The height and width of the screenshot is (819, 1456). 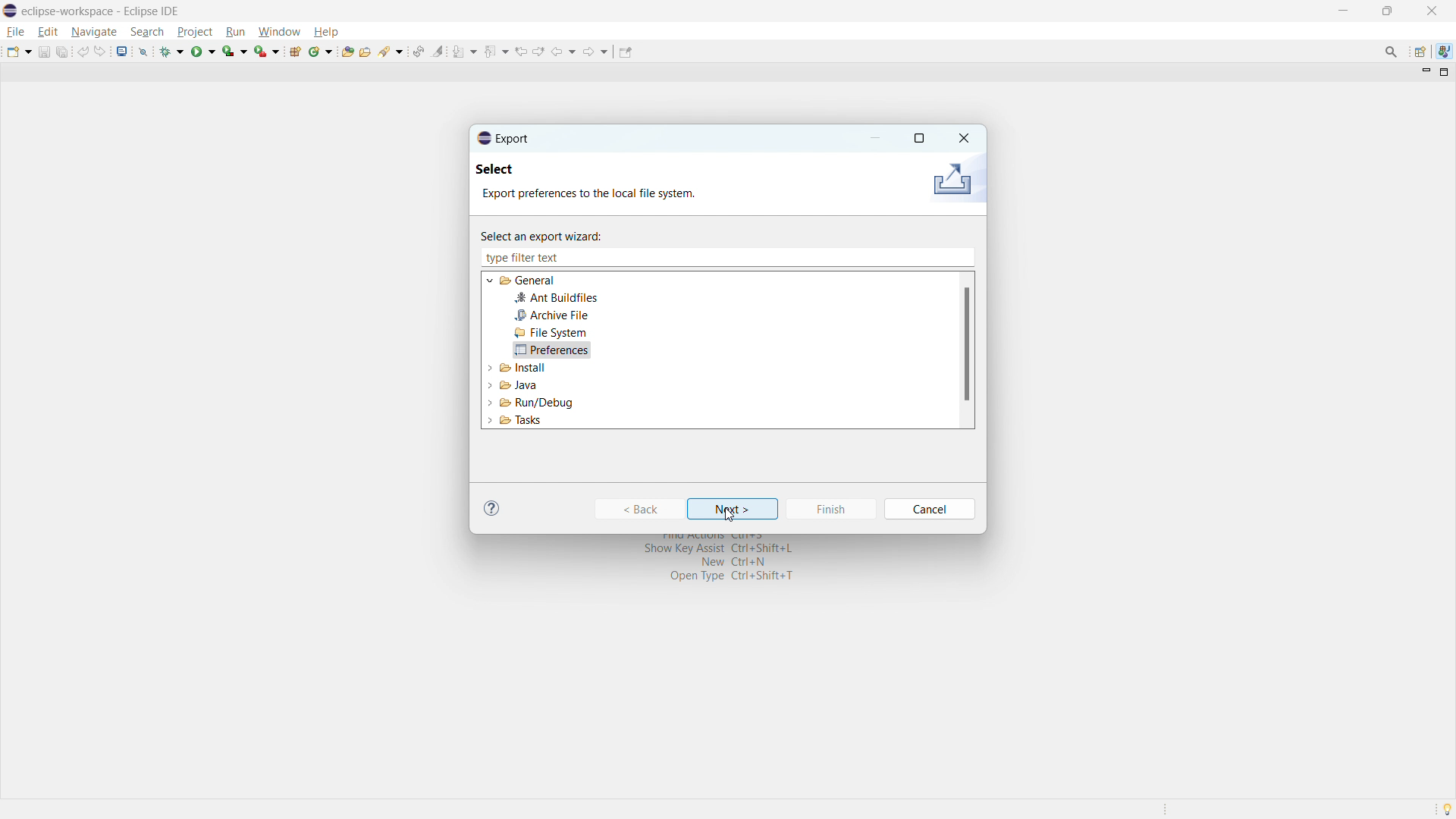 What do you see at coordinates (203, 52) in the screenshot?
I see `run` at bounding box center [203, 52].